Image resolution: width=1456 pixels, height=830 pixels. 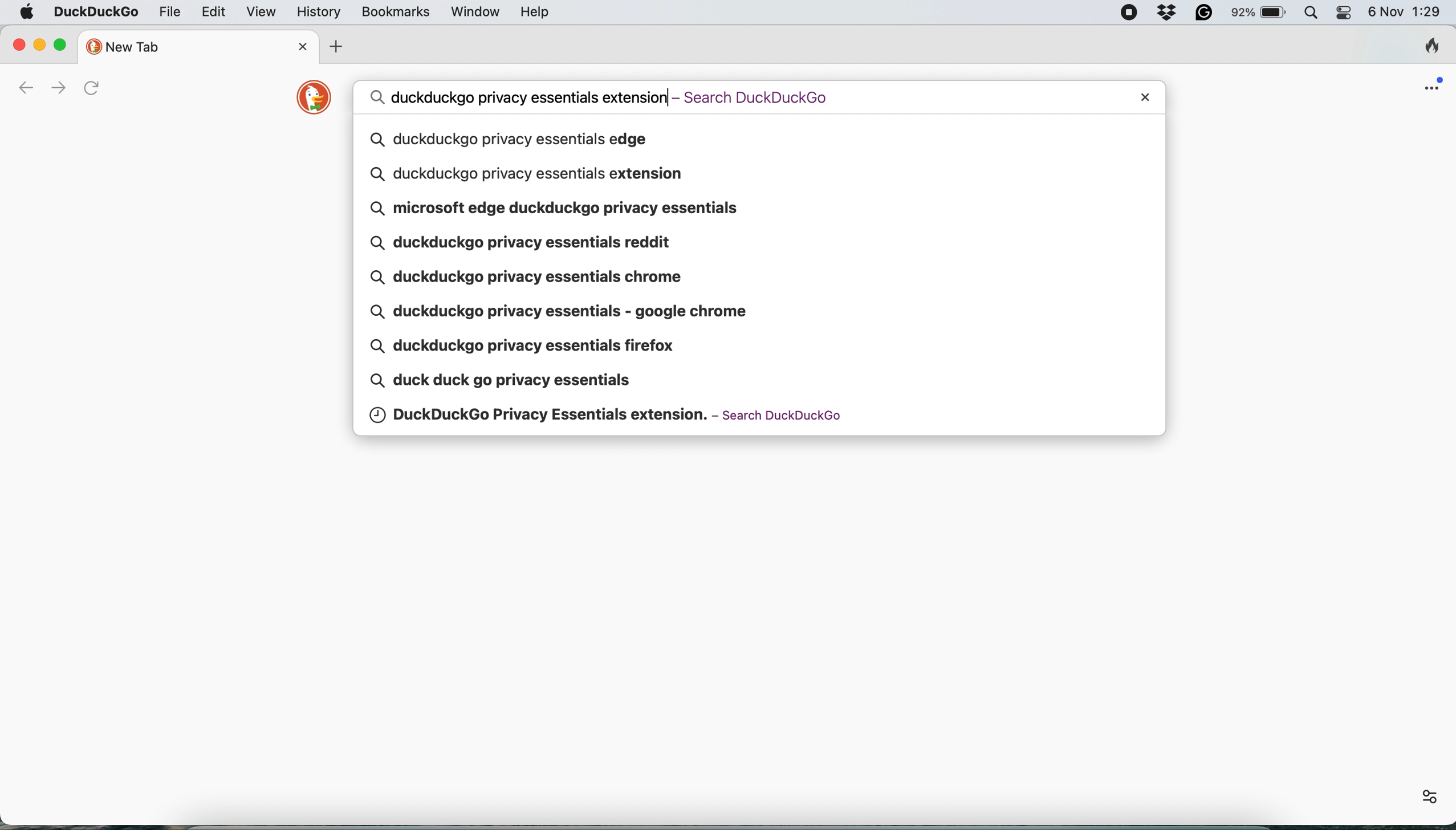 What do you see at coordinates (339, 48) in the screenshot?
I see `add new tab` at bounding box center [339, 48].